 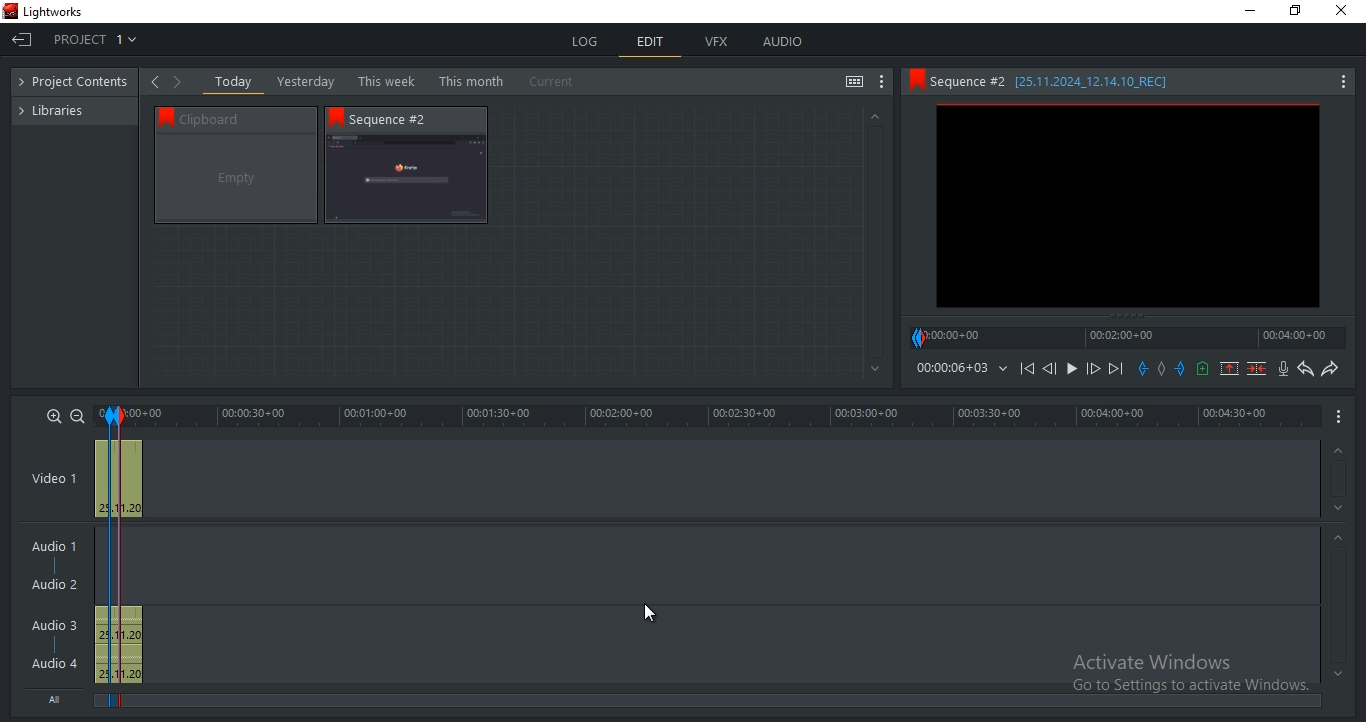 What do you see at coordinates (1341, 511) in the screenshot?
I see `Greyed out down arrow` at bounding box center [1341, 511].